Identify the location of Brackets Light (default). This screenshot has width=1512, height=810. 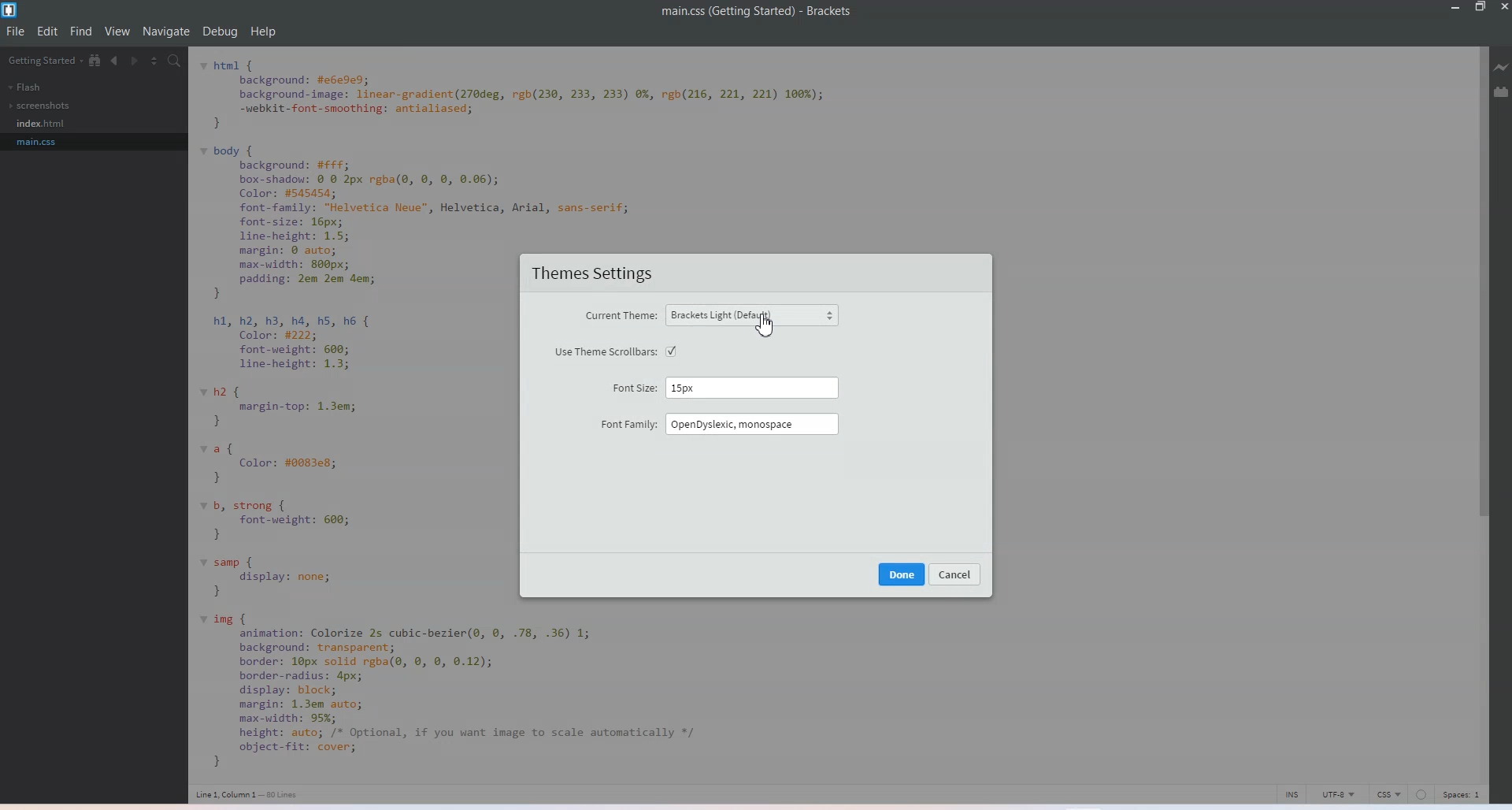
(754, 314).